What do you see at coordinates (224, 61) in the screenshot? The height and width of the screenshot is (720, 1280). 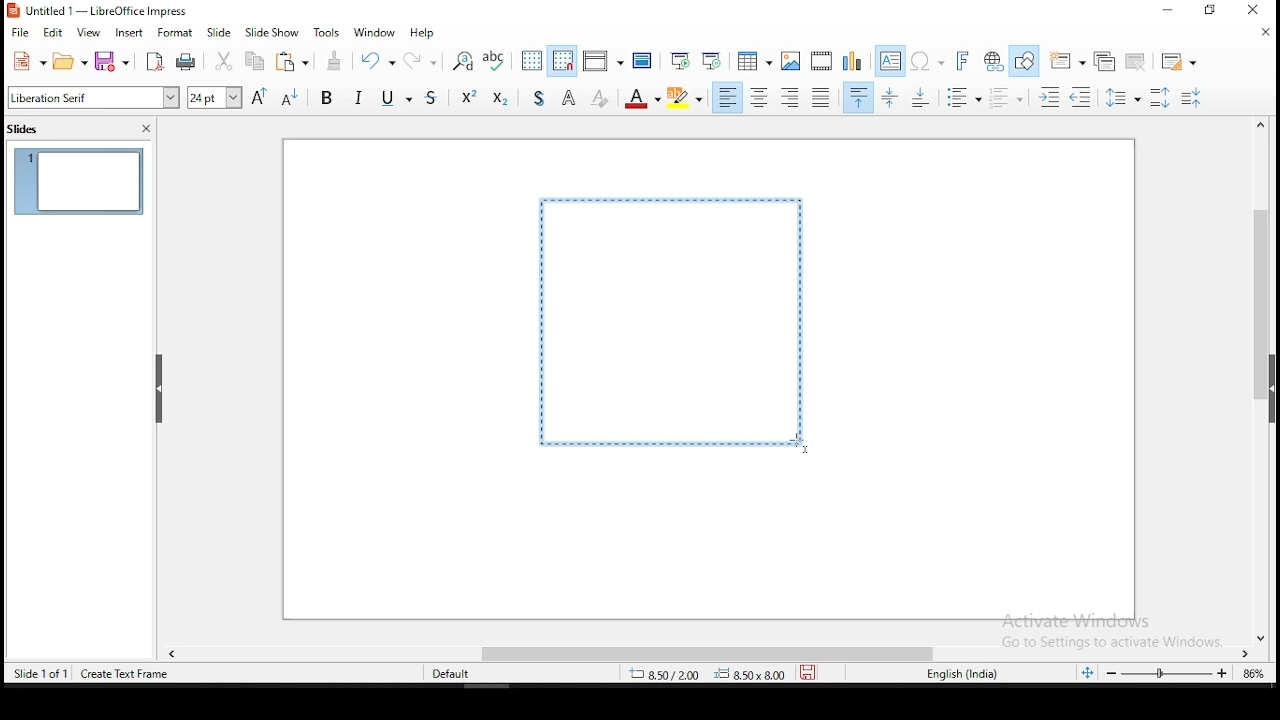 I see `cut` at bounding box center [224, 61].